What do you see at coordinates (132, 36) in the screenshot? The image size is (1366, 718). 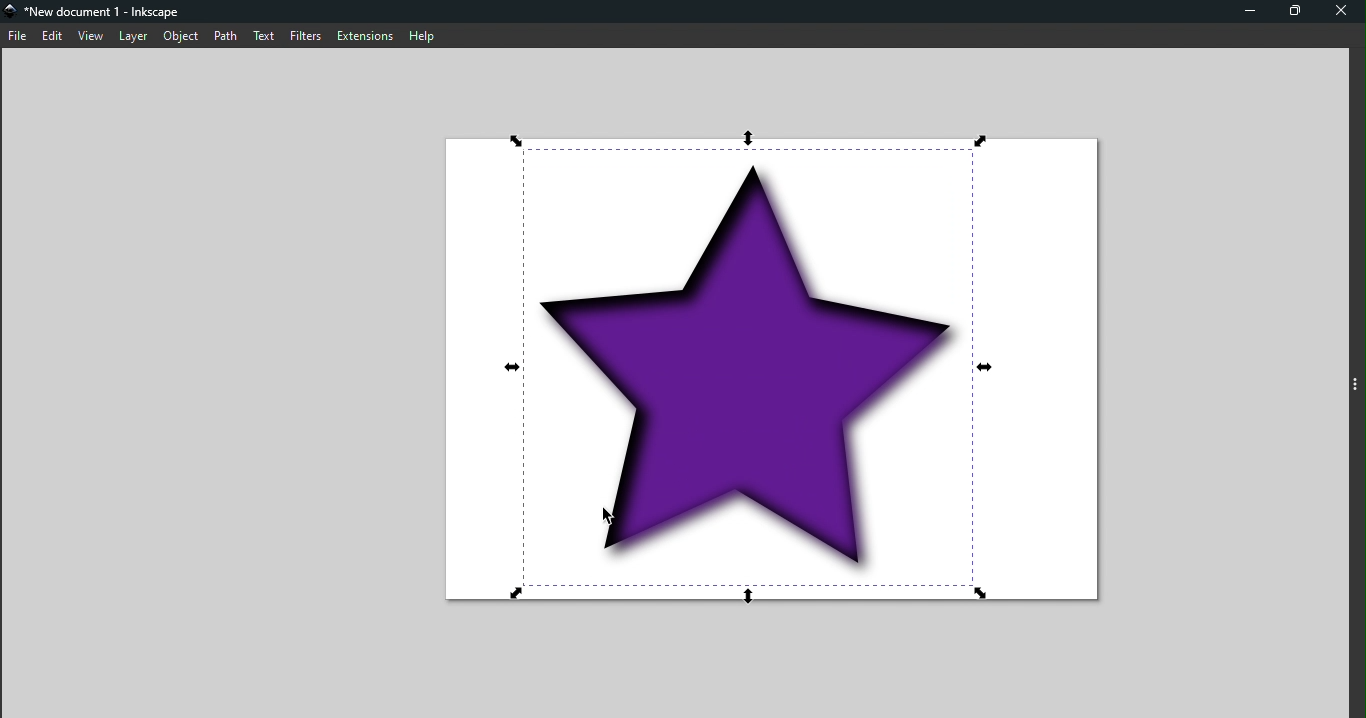 I see `Layer` at bounding box center [132, 36].